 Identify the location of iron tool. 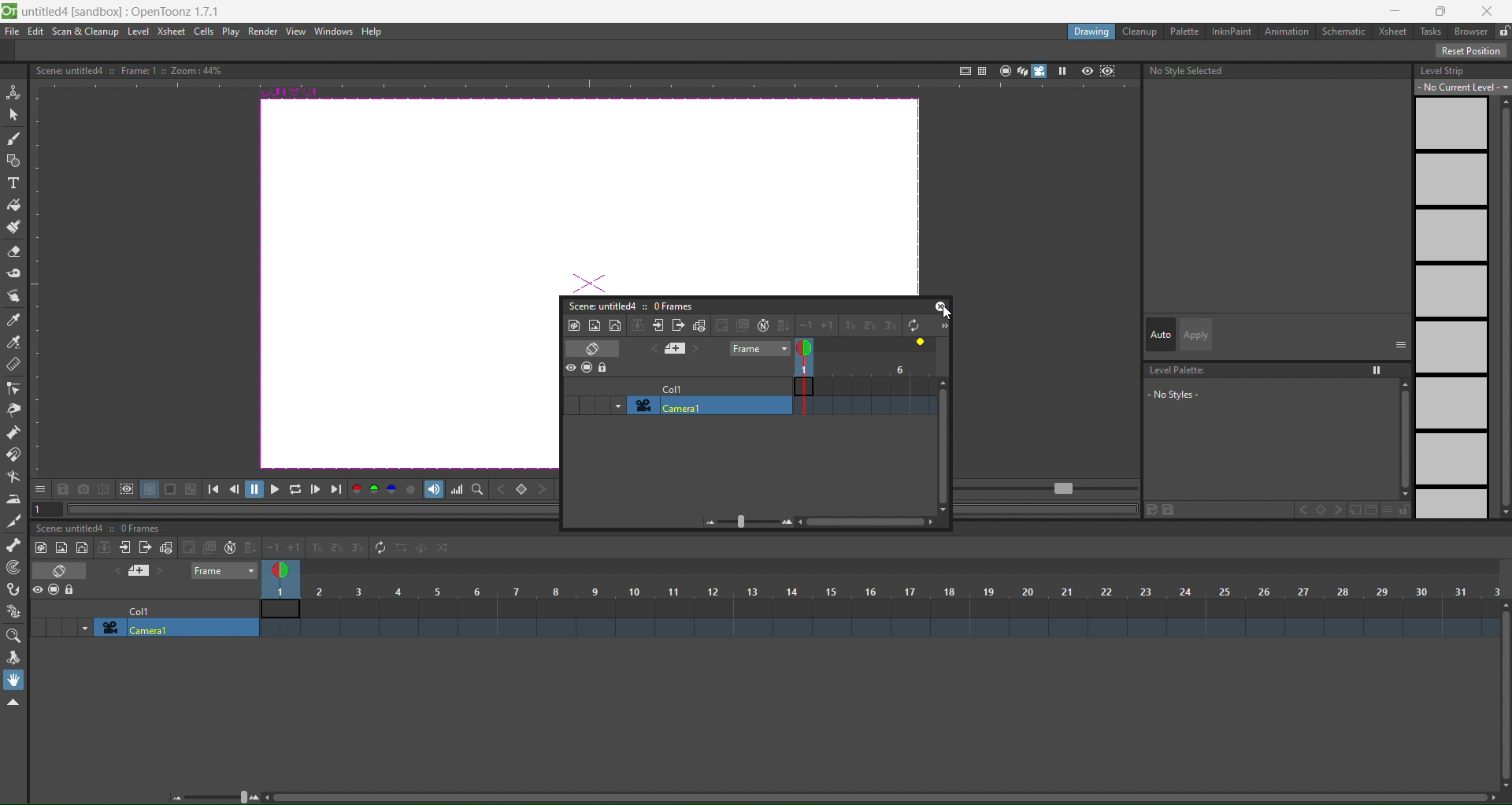
(13, 499).